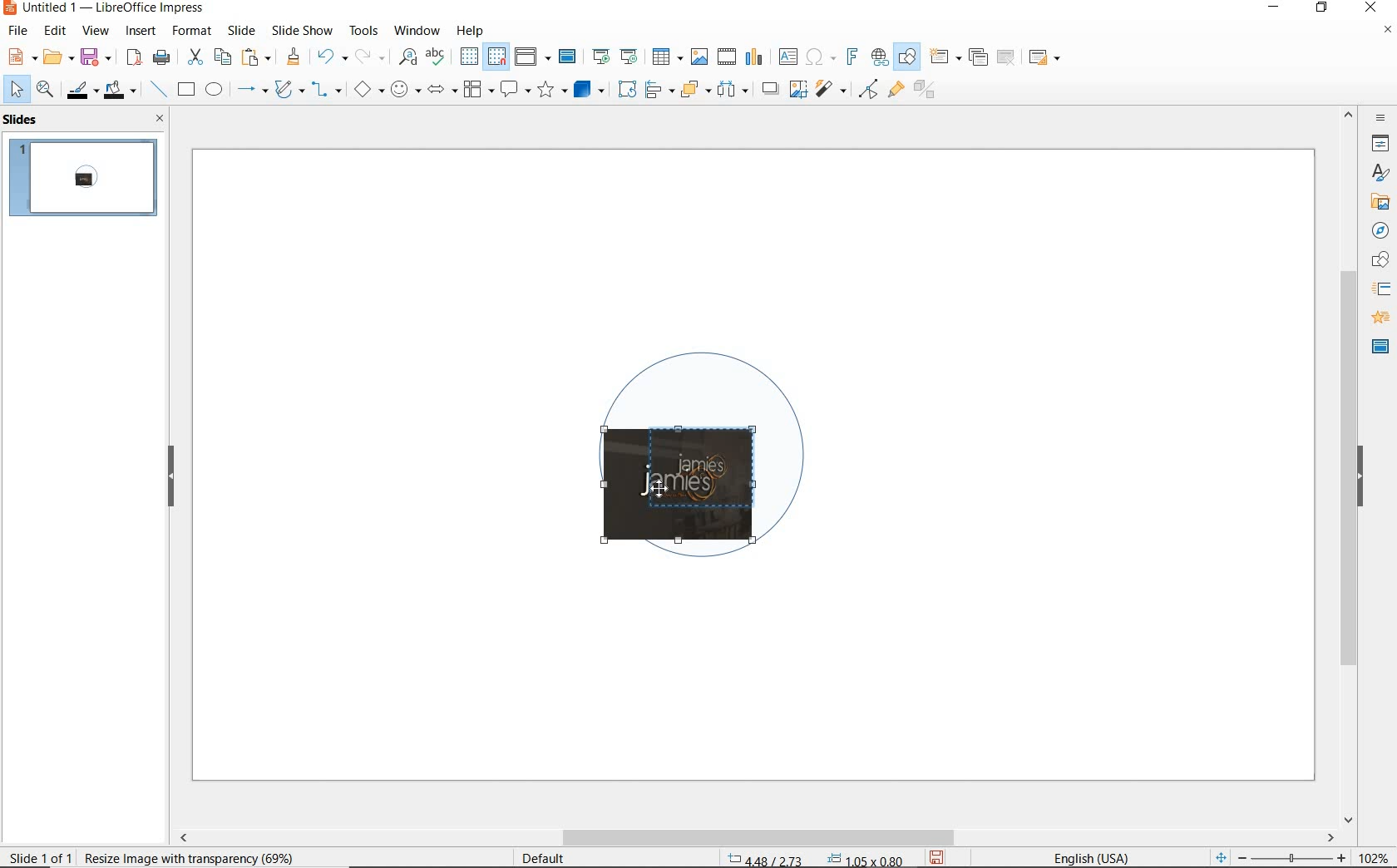  I want to click on redo, so click(369, 57).